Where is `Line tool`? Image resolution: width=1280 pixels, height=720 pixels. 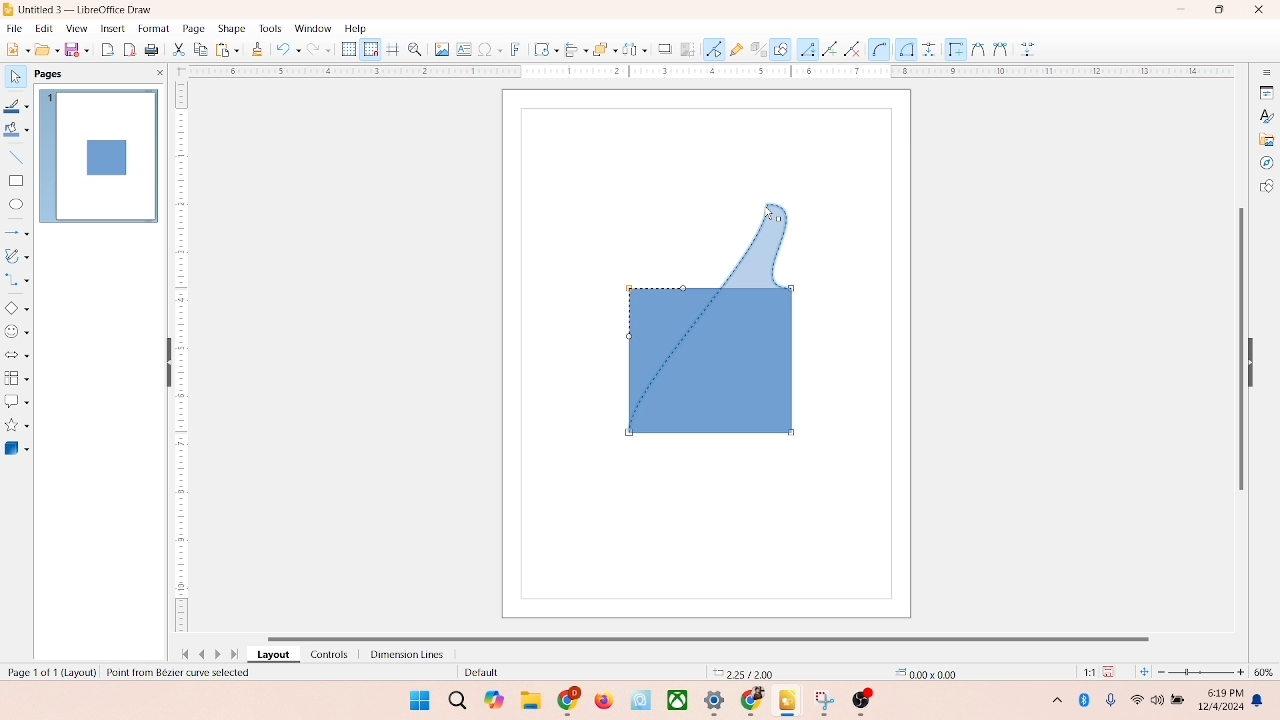 Line tool is located at coordinates (807, 48).